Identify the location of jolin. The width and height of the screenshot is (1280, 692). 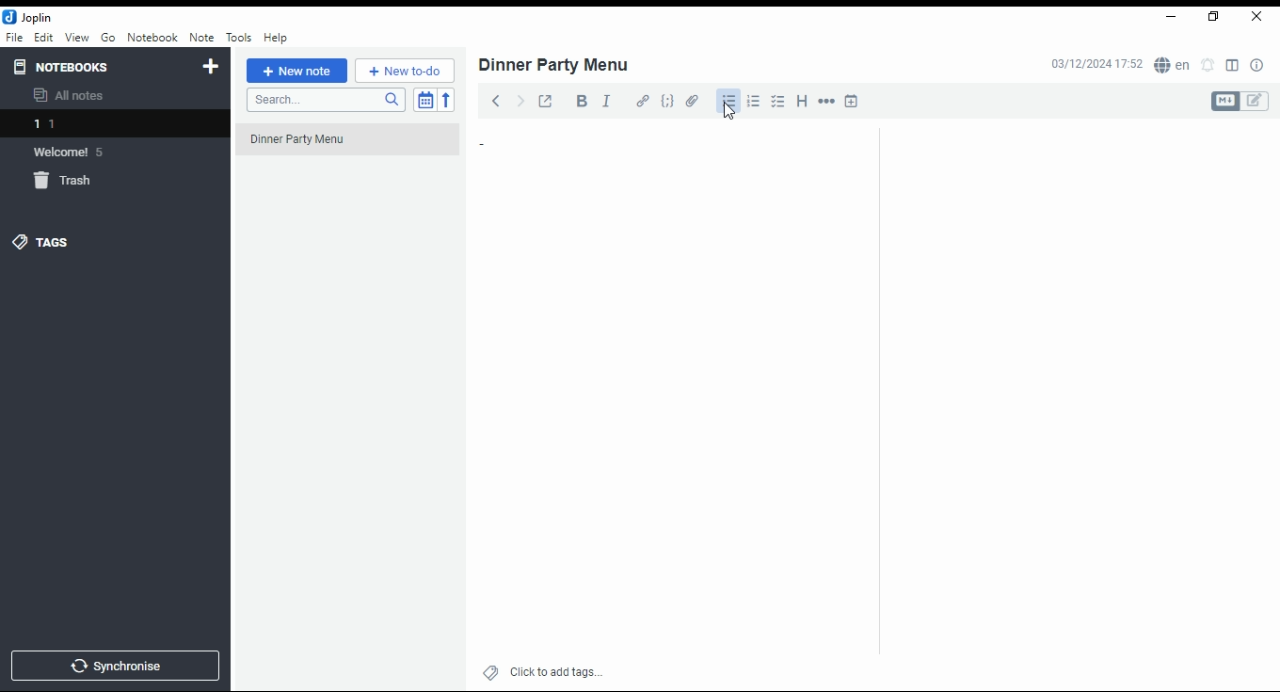
(29, 17).